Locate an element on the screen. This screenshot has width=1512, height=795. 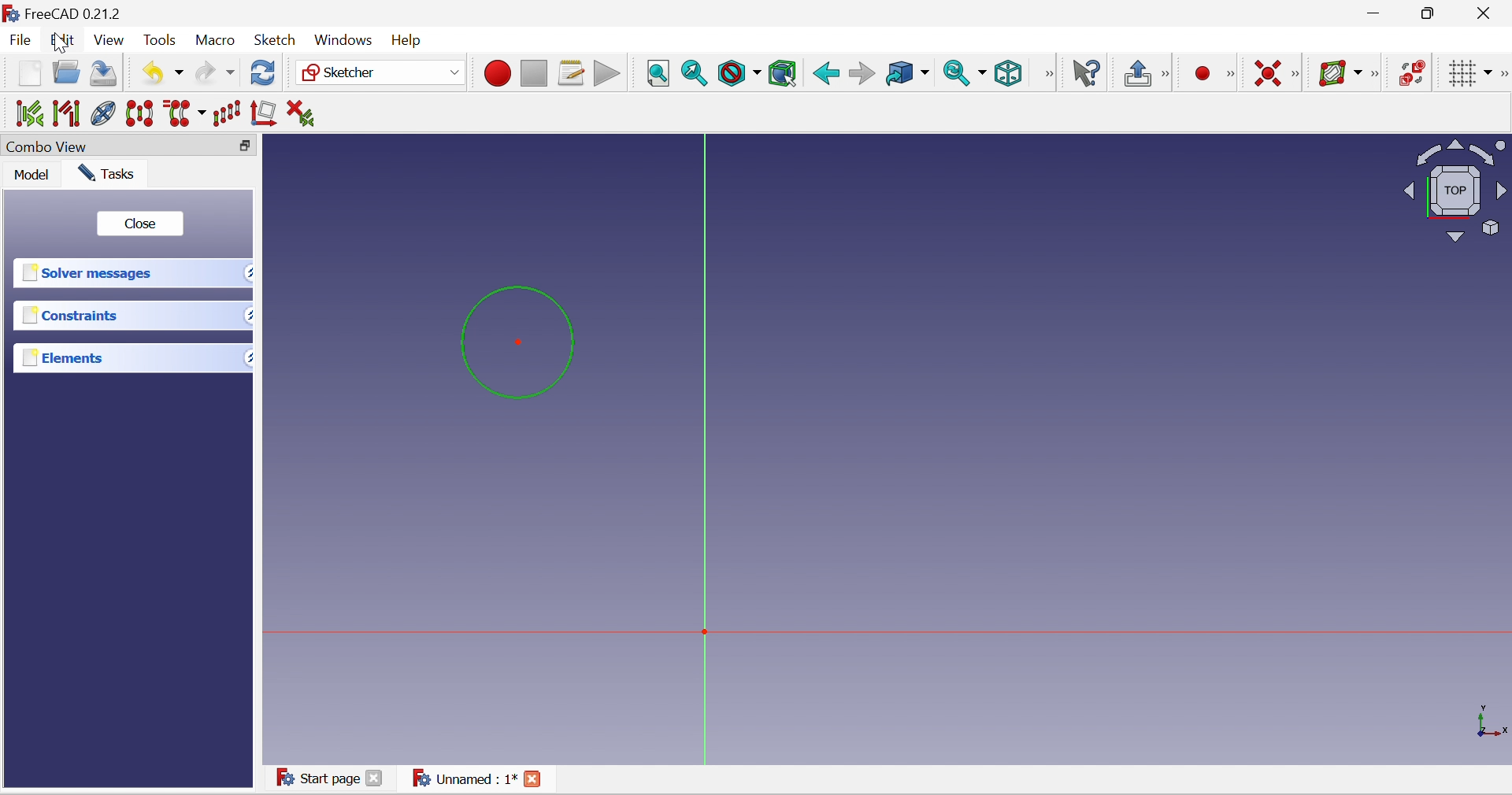
Save is located at coordinates (104, 73).